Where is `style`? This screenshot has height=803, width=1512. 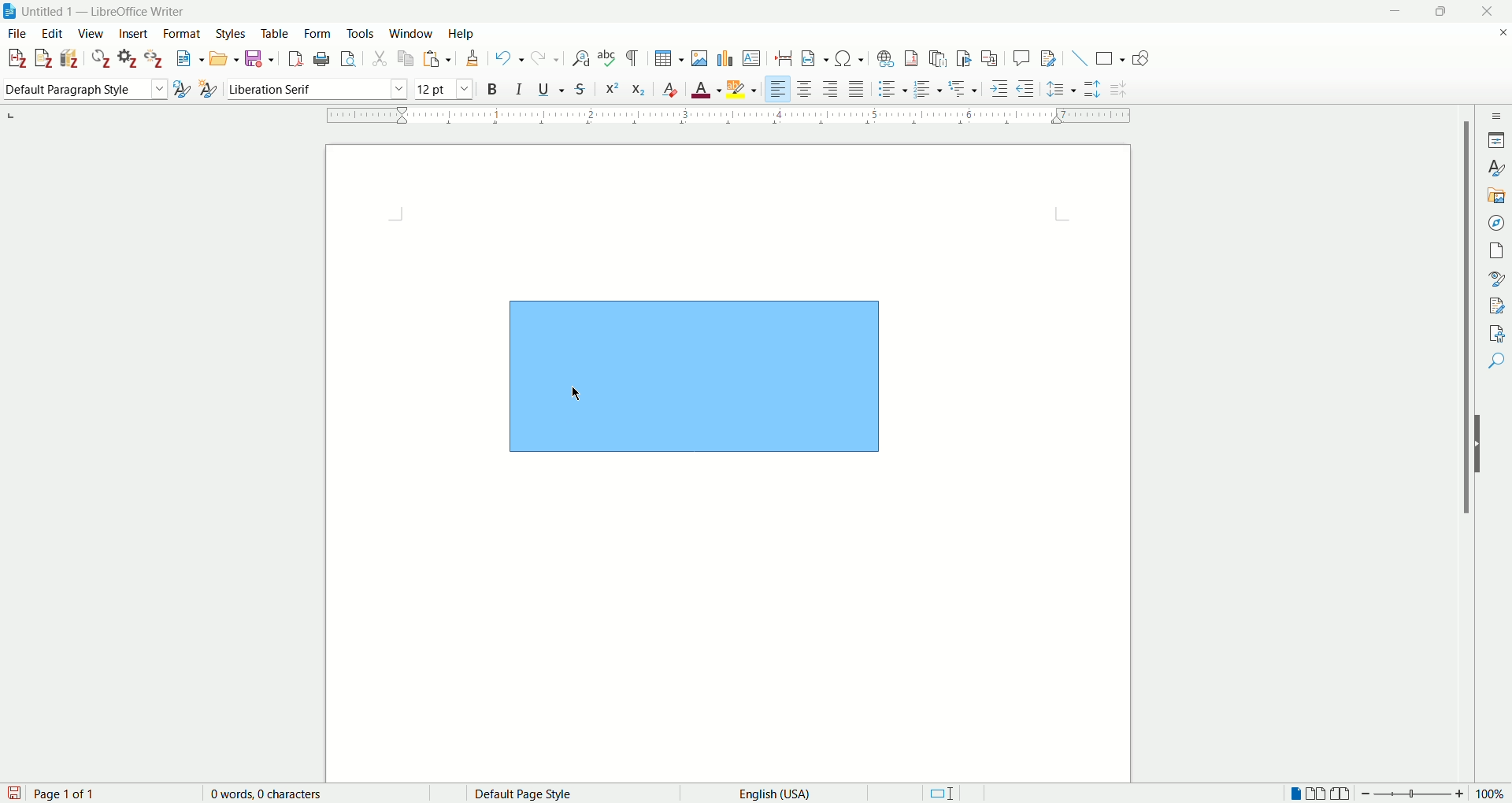 style is located at coordinates (1494, 167).